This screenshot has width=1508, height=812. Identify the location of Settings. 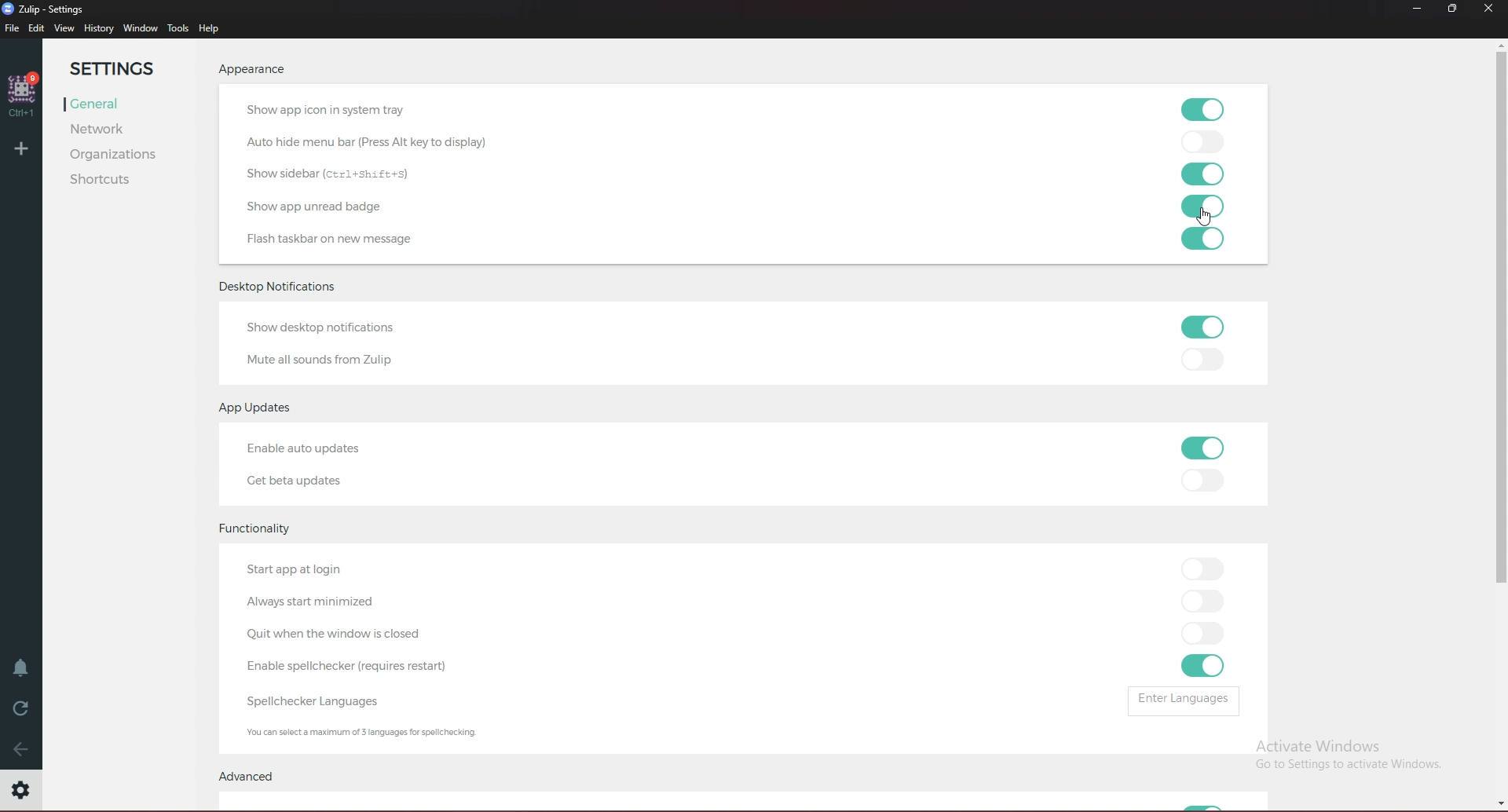
(123, 68).